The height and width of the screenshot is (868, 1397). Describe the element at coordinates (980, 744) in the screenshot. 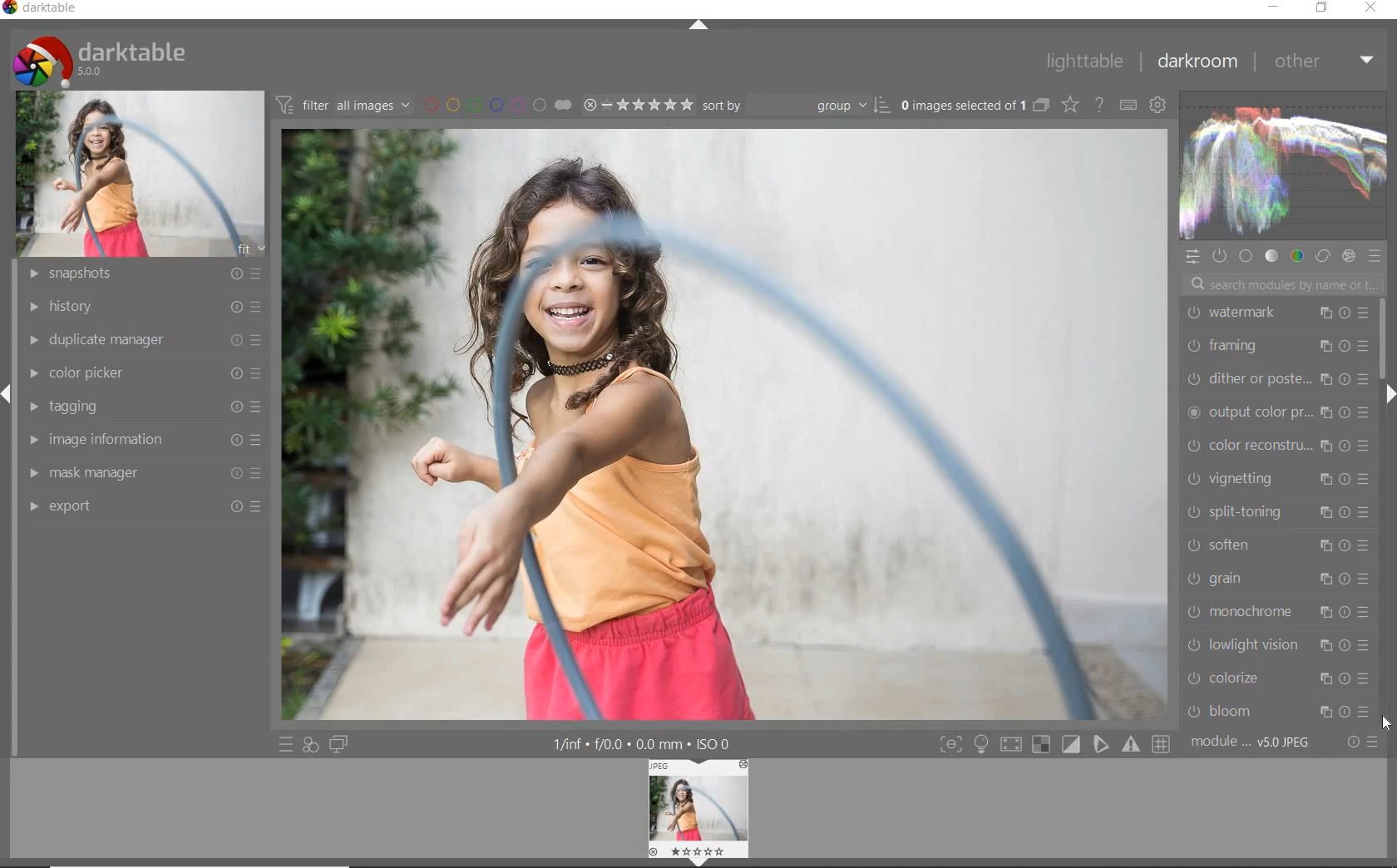

I see `sign ` at that location.